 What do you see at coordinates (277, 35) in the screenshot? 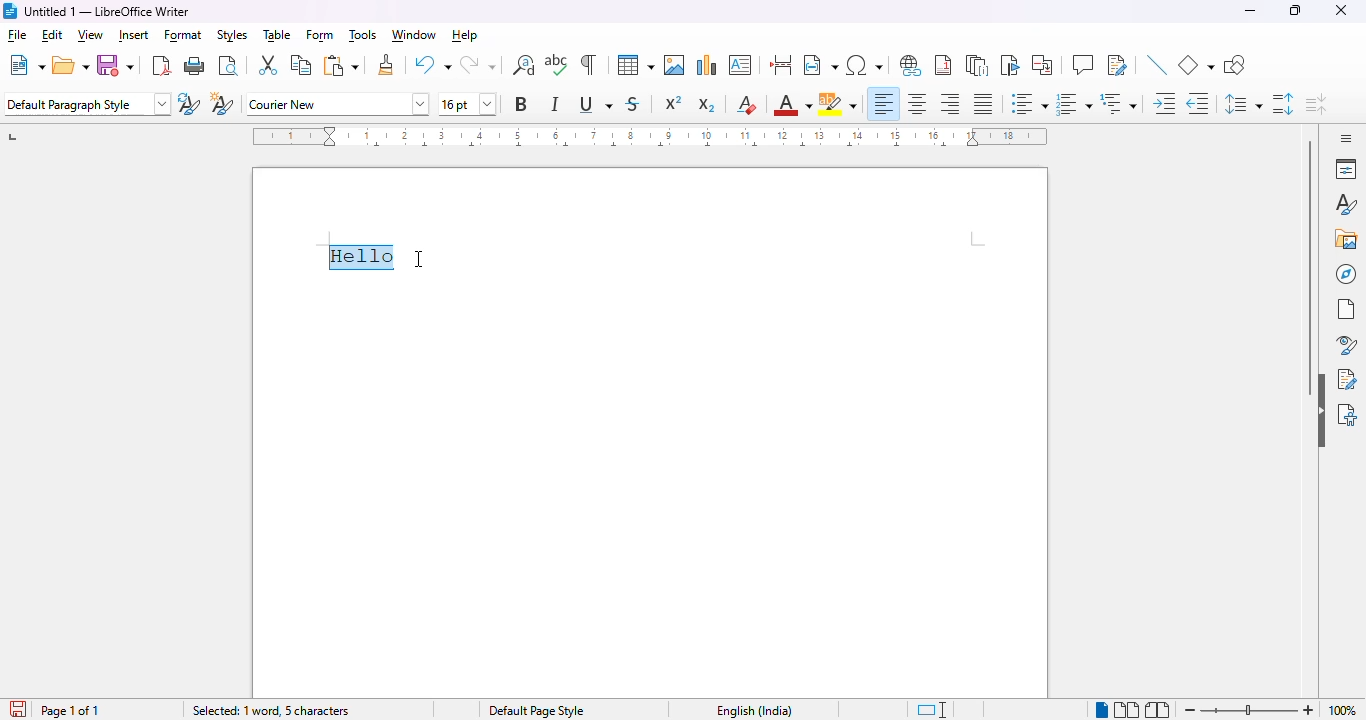
I see `table` at bounding box center [277, 35].